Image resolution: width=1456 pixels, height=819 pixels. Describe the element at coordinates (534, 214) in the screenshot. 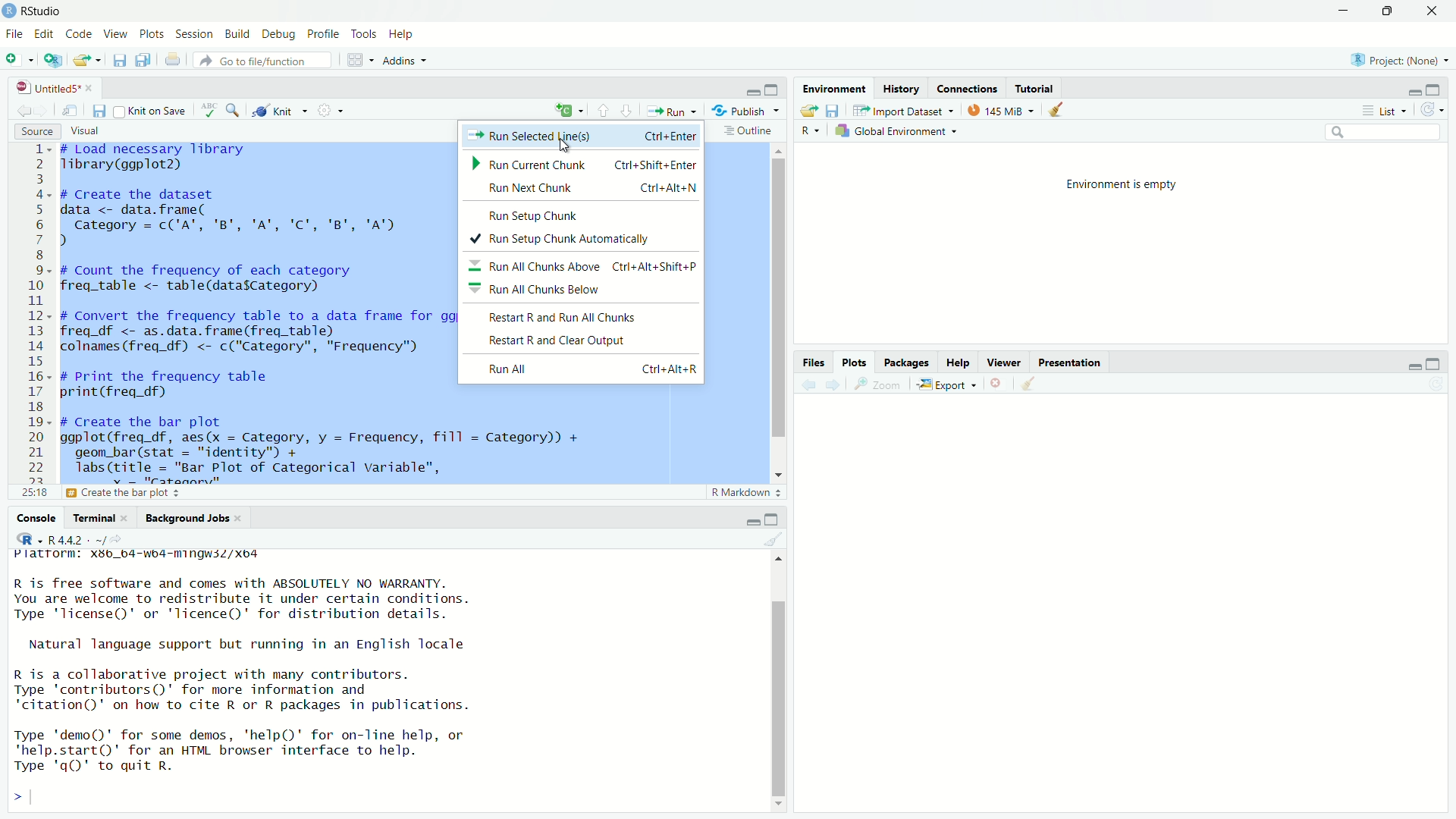

I see `| Run Setup Chunk` at that location.